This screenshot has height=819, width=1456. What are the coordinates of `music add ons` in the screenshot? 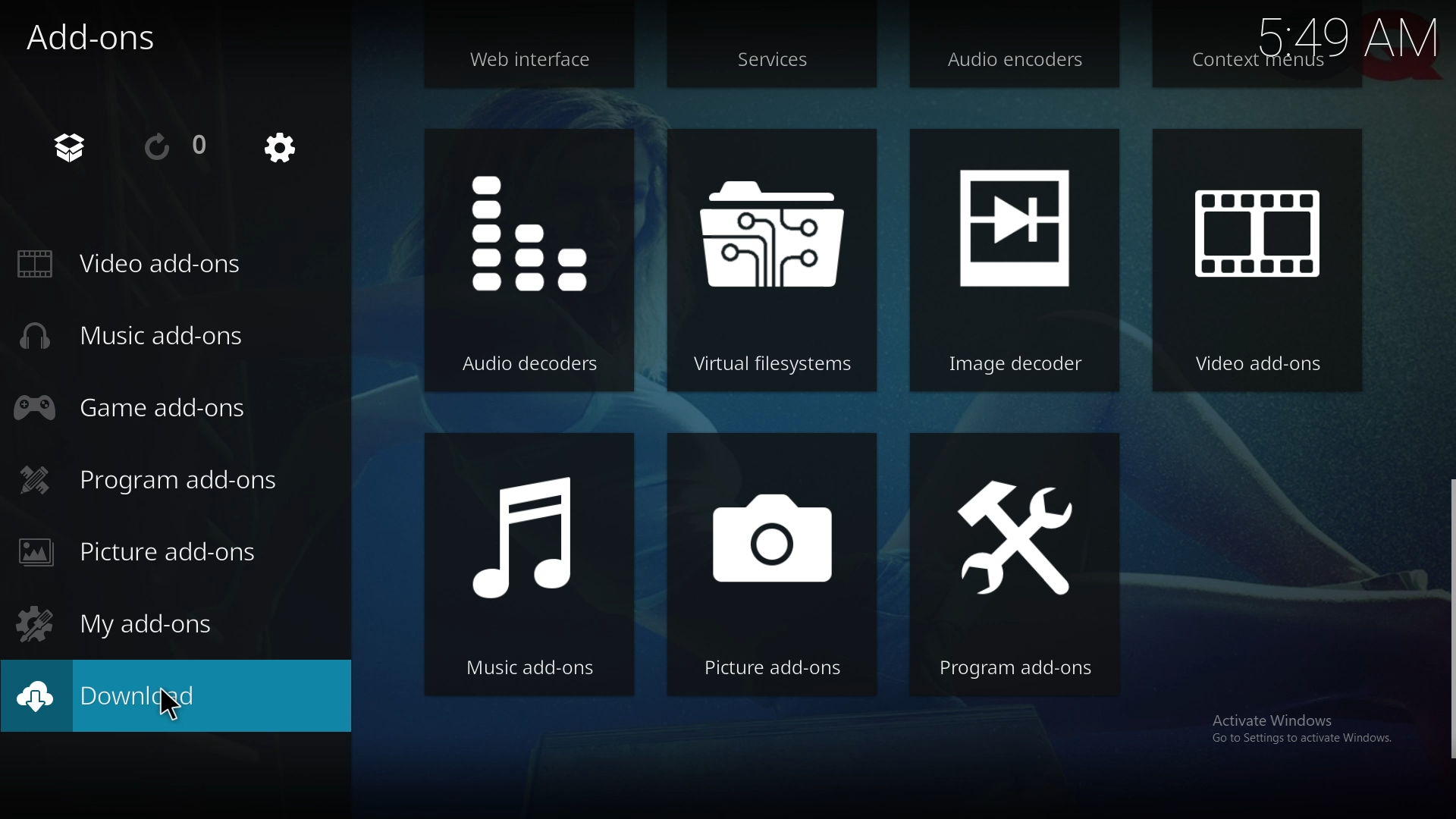 It's located at (137, 334).